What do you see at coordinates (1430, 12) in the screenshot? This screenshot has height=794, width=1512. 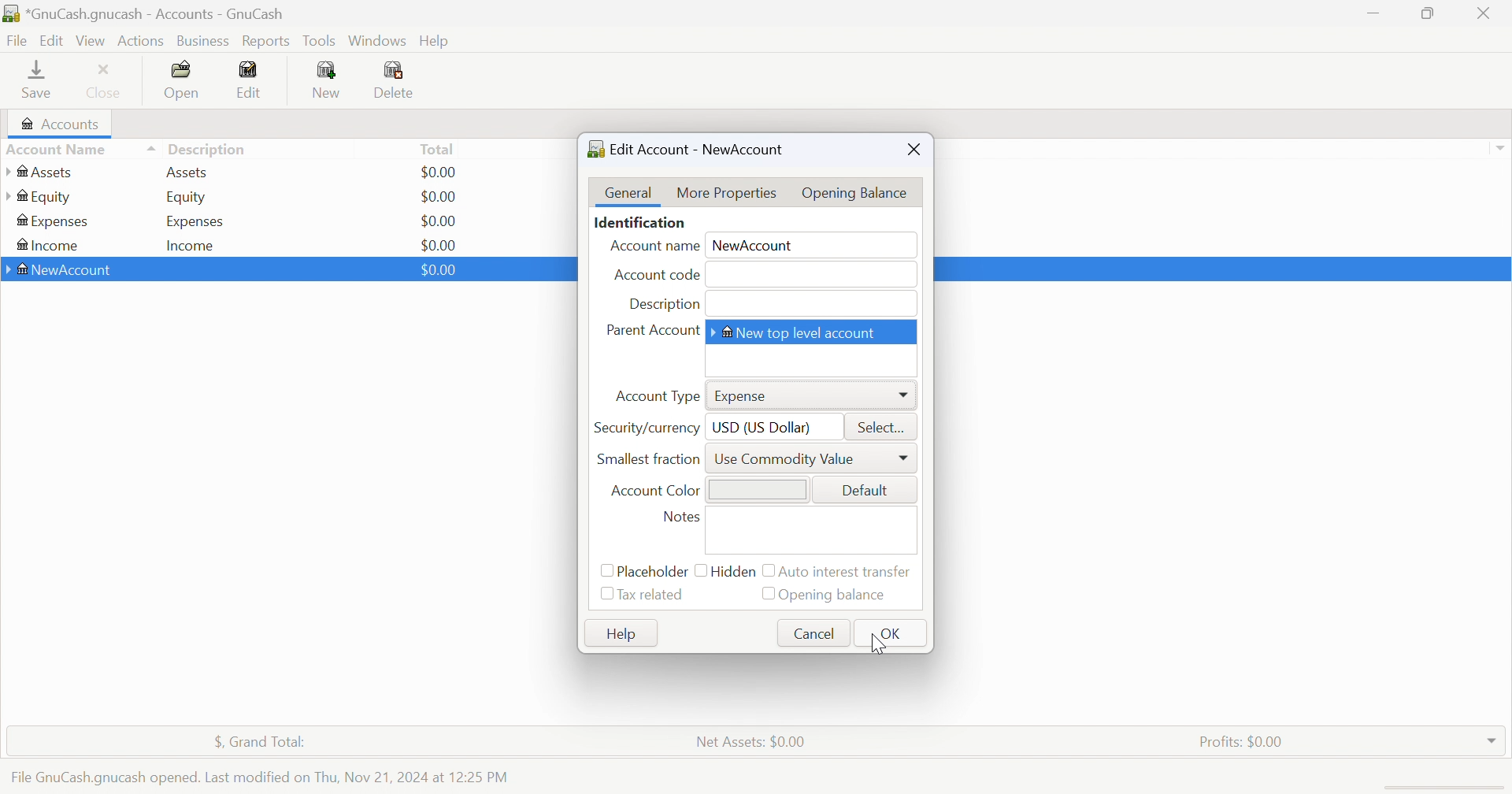 I see `Restore Down` at bounding box center [1430, 12].